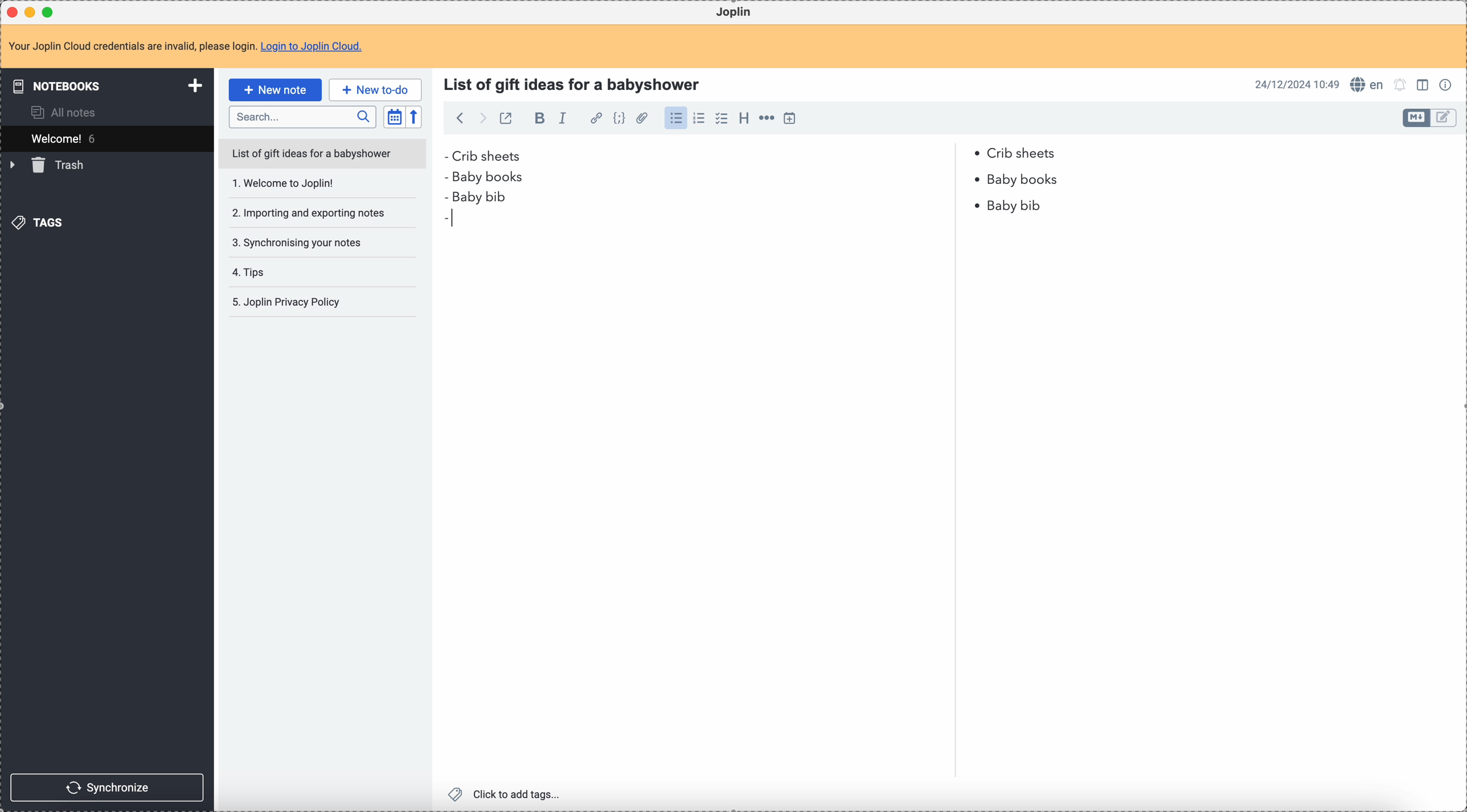  What do you see at coordinates (1400, 85) in the screenshot?
I see `set alarm` at bounding box center [1400, 85].